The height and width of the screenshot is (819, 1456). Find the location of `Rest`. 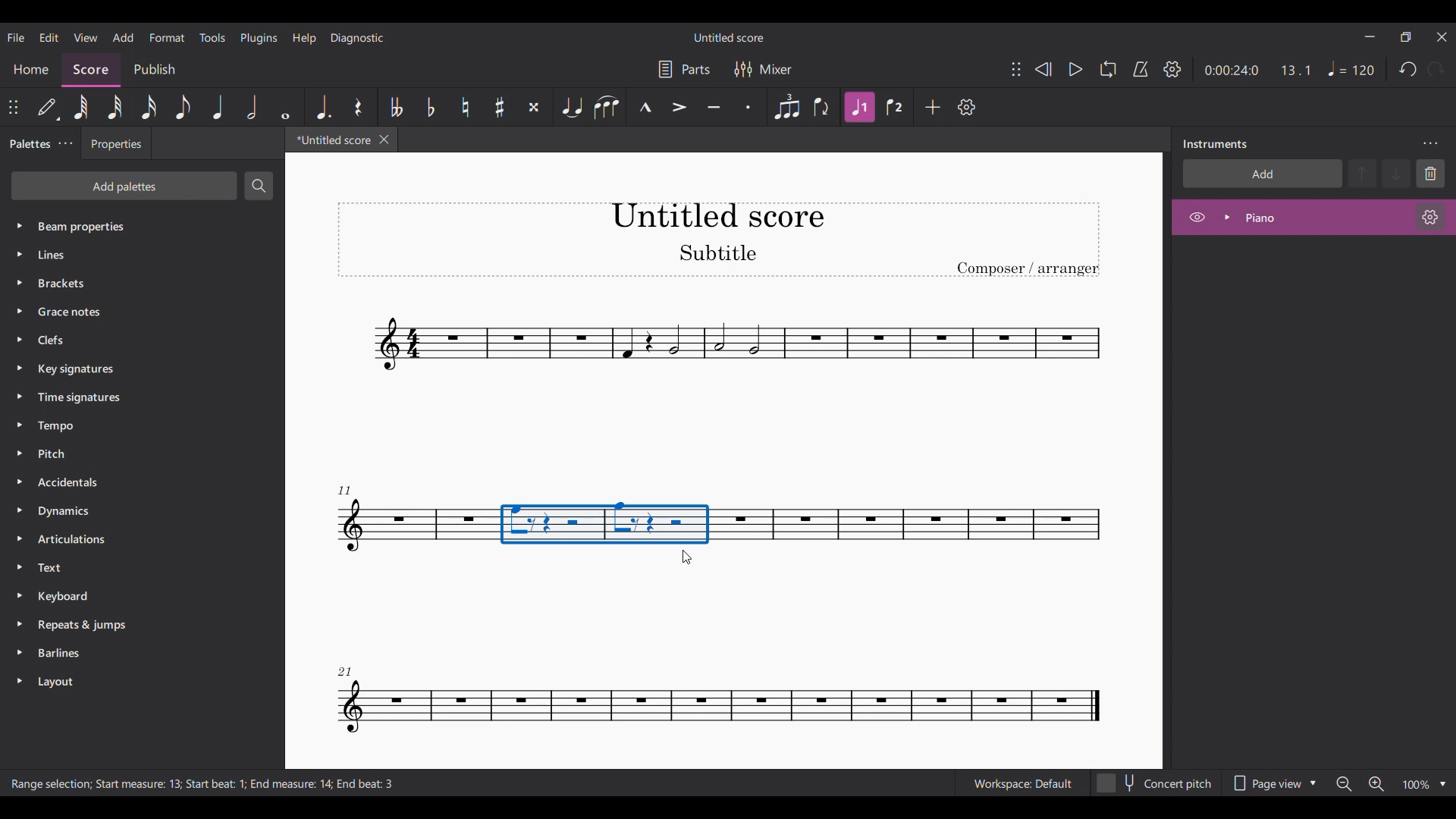

Rest is located at coordinates (358, 107).